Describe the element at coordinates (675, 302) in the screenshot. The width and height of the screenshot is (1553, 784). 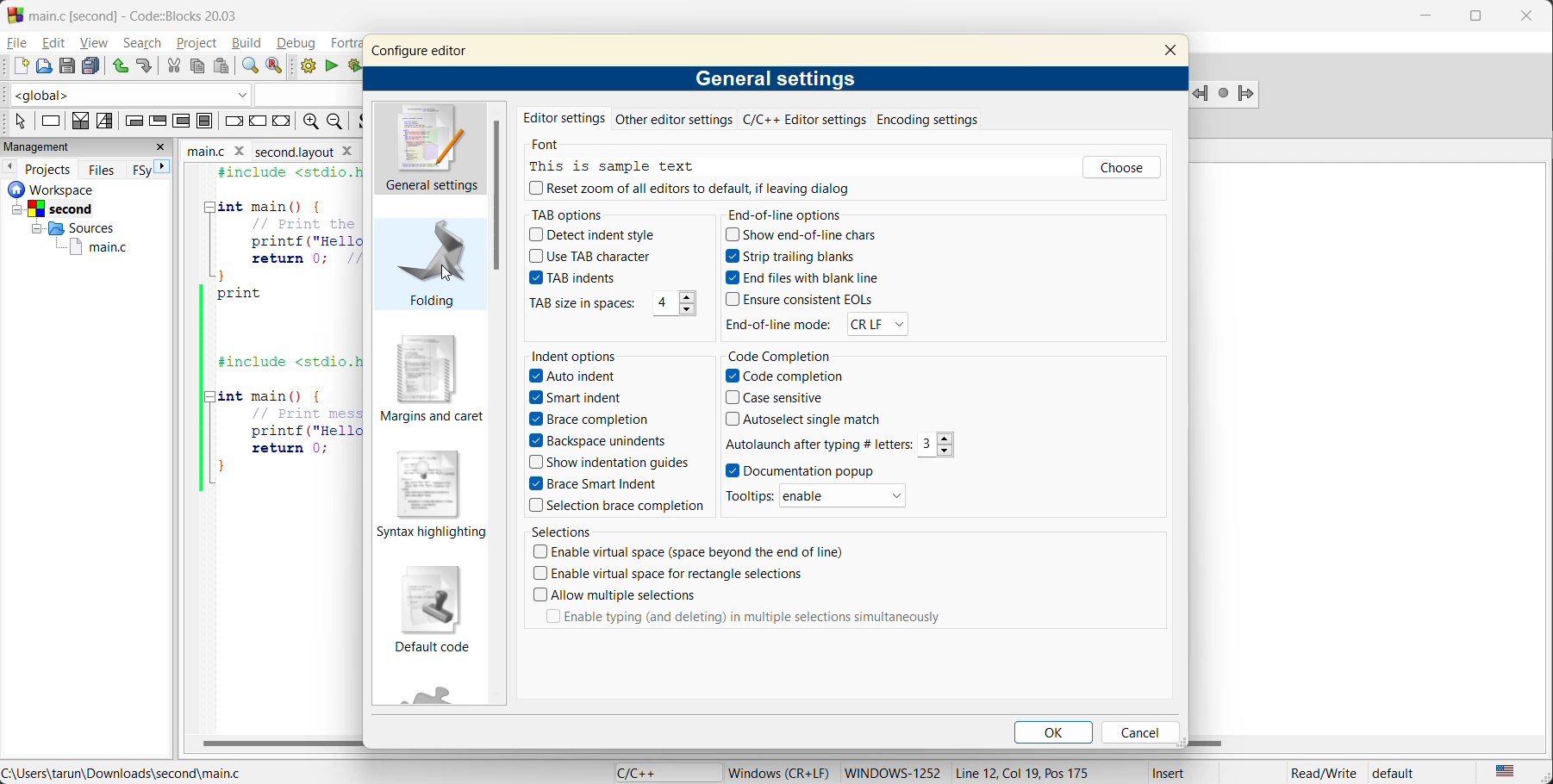
I see `4` at that location.